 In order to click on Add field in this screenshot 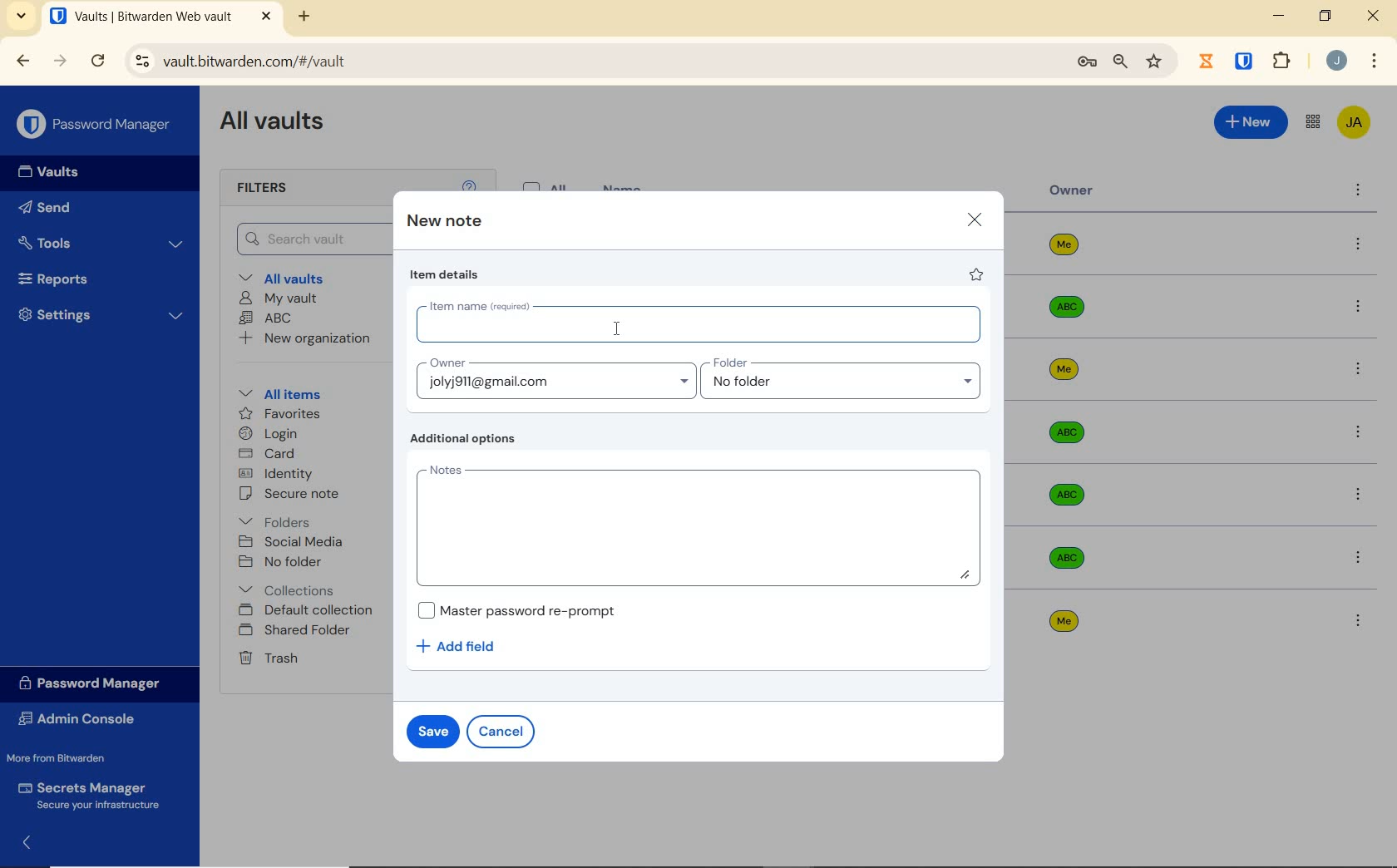, I will do `click(464, 646)`.